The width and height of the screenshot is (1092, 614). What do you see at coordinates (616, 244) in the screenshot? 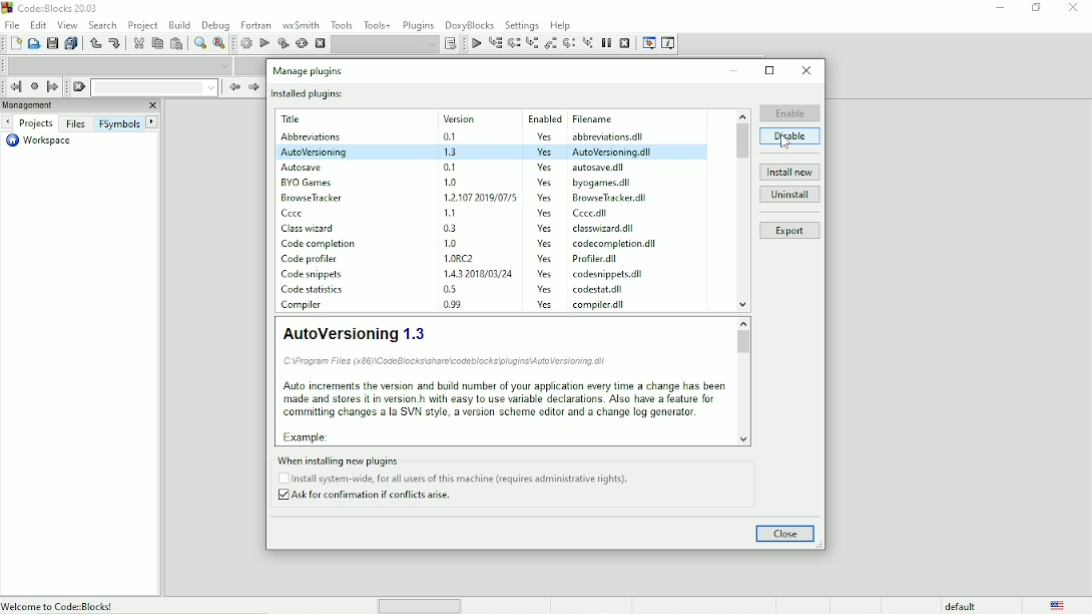
I see `Codecompletion.dll` at bounding box center [616, 244].